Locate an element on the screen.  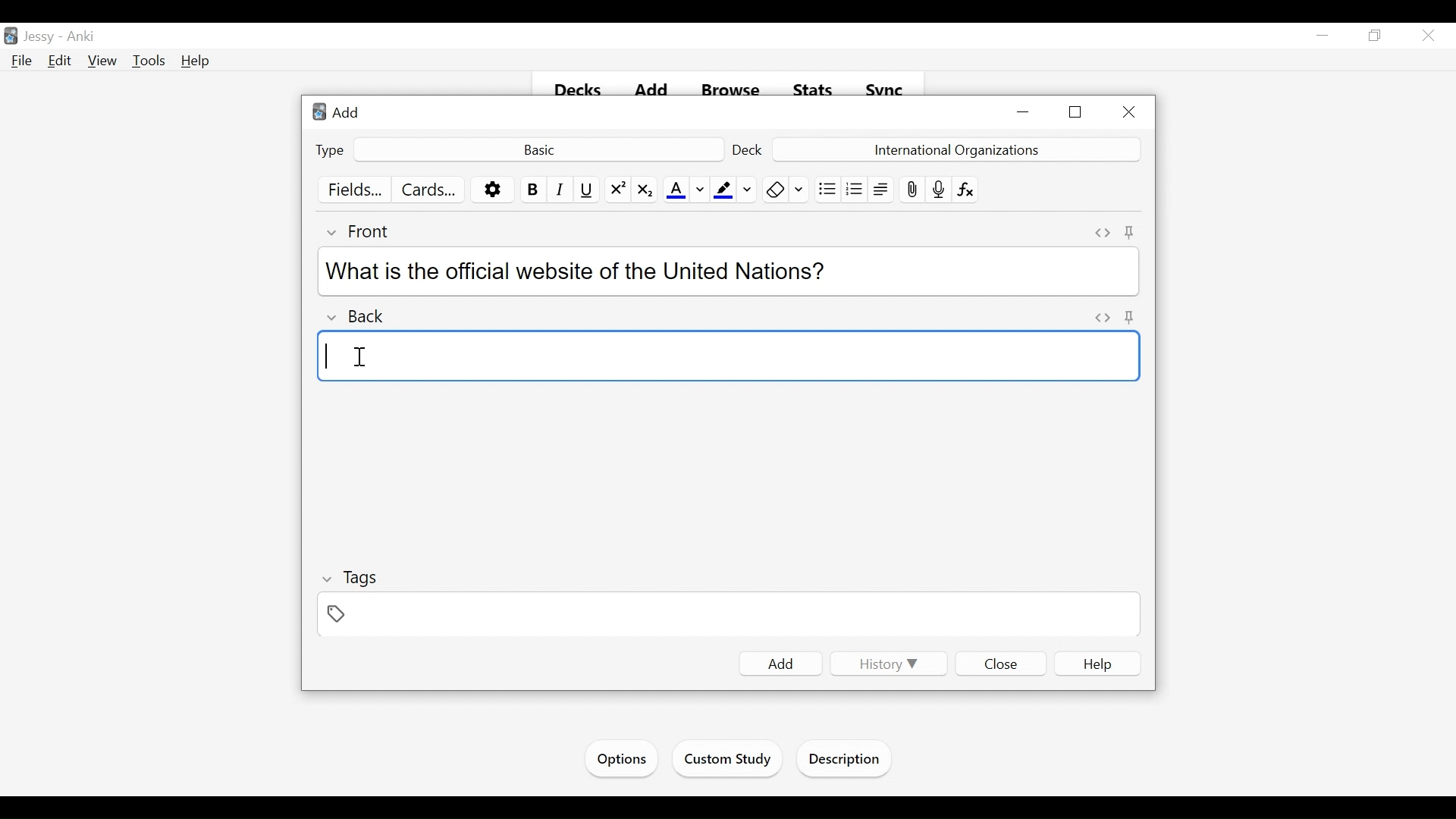
Text Highlighting color is located at coordinates (723, 190).